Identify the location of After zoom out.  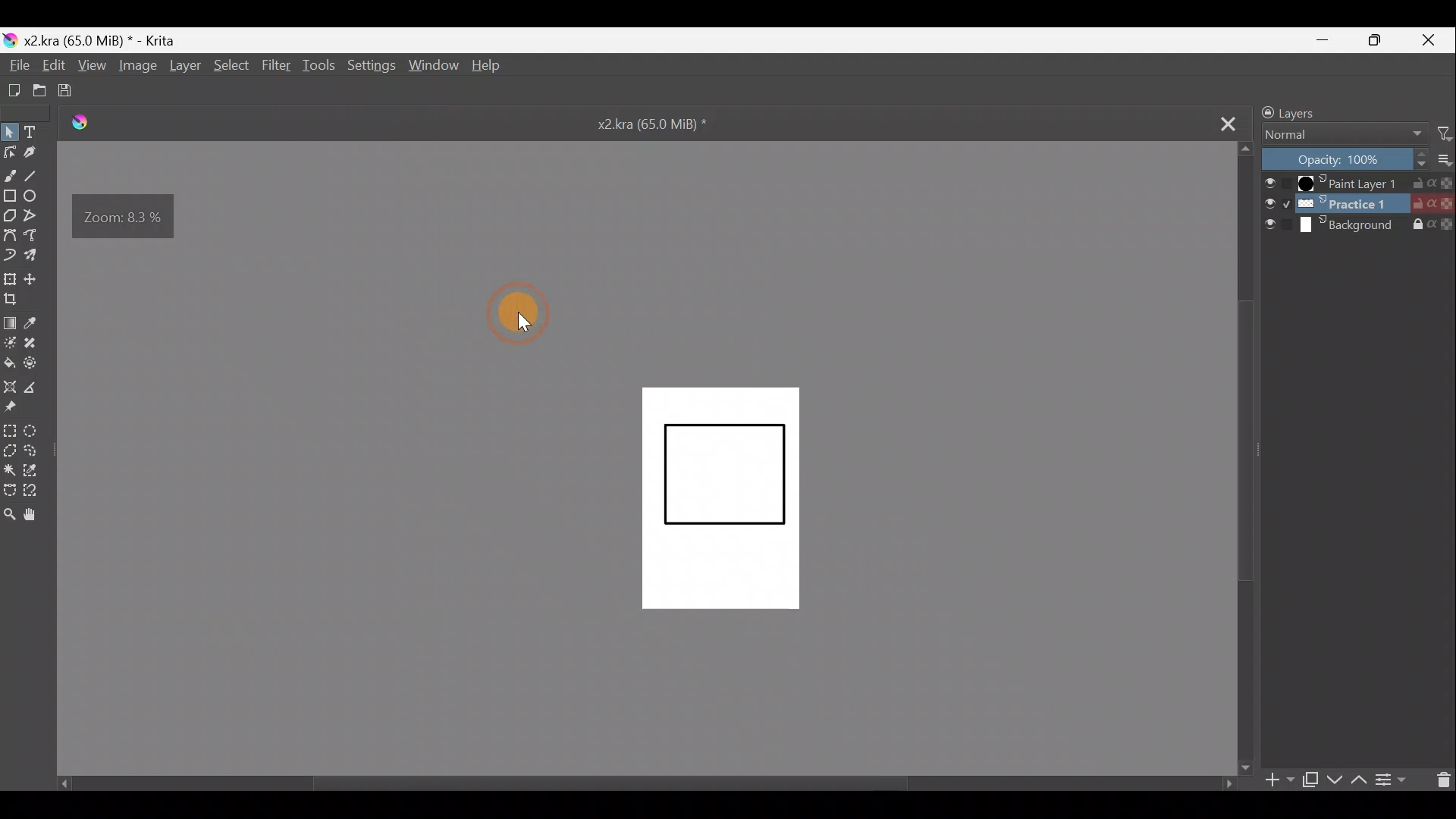
(722, 498).